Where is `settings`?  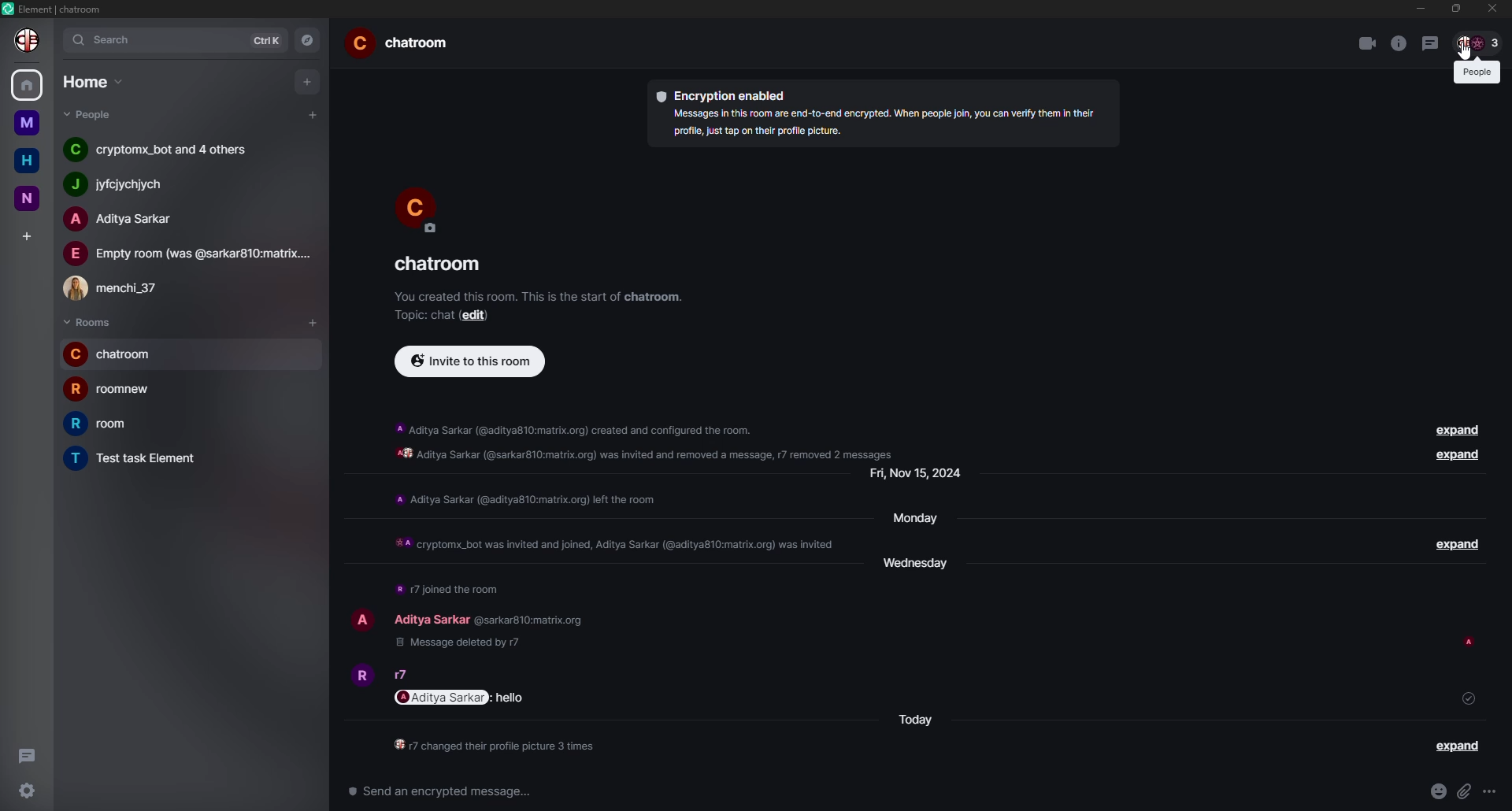 settings is located at coordinates (26, 791).